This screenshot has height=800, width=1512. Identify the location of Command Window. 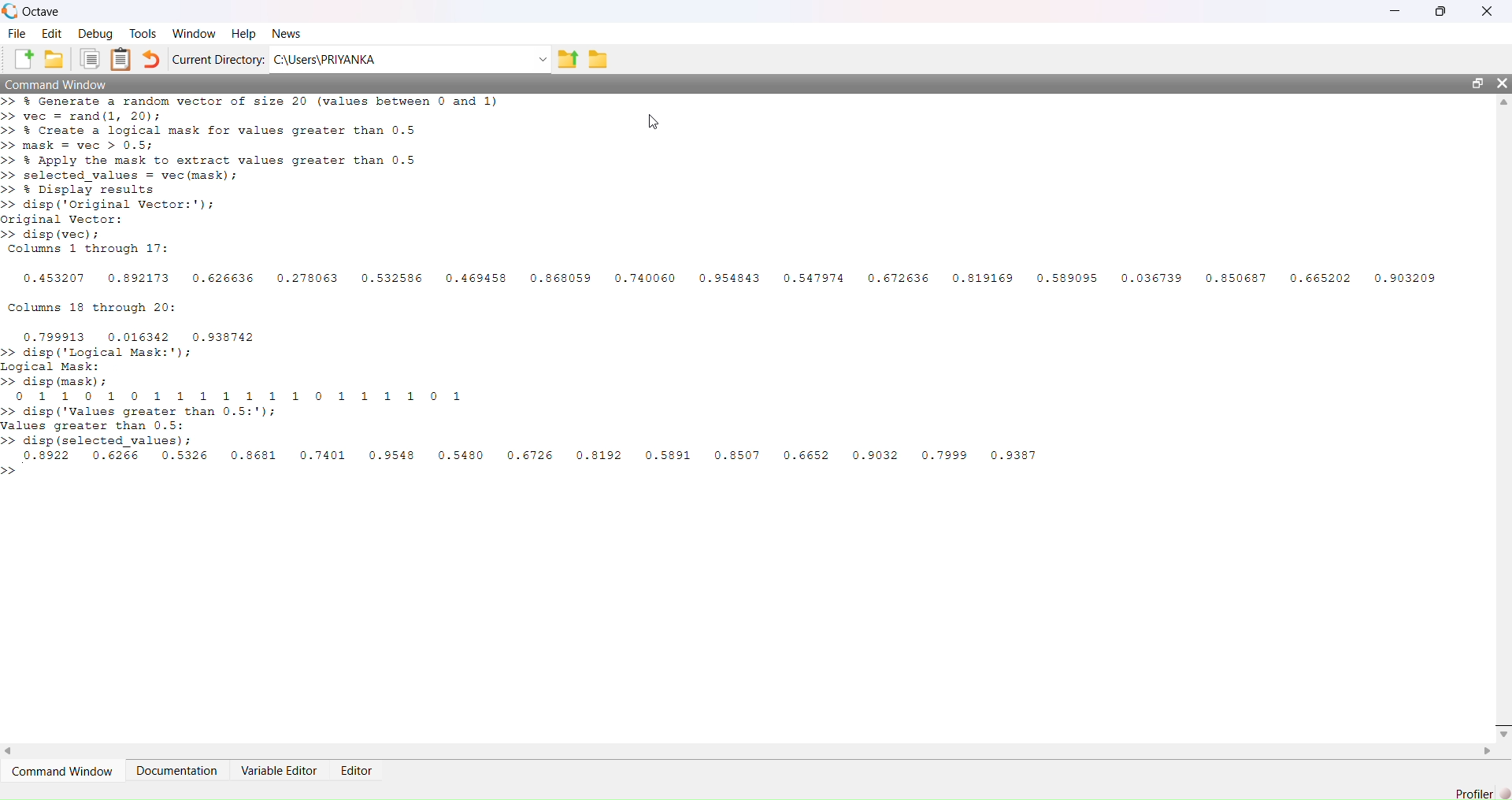
(66, 771).